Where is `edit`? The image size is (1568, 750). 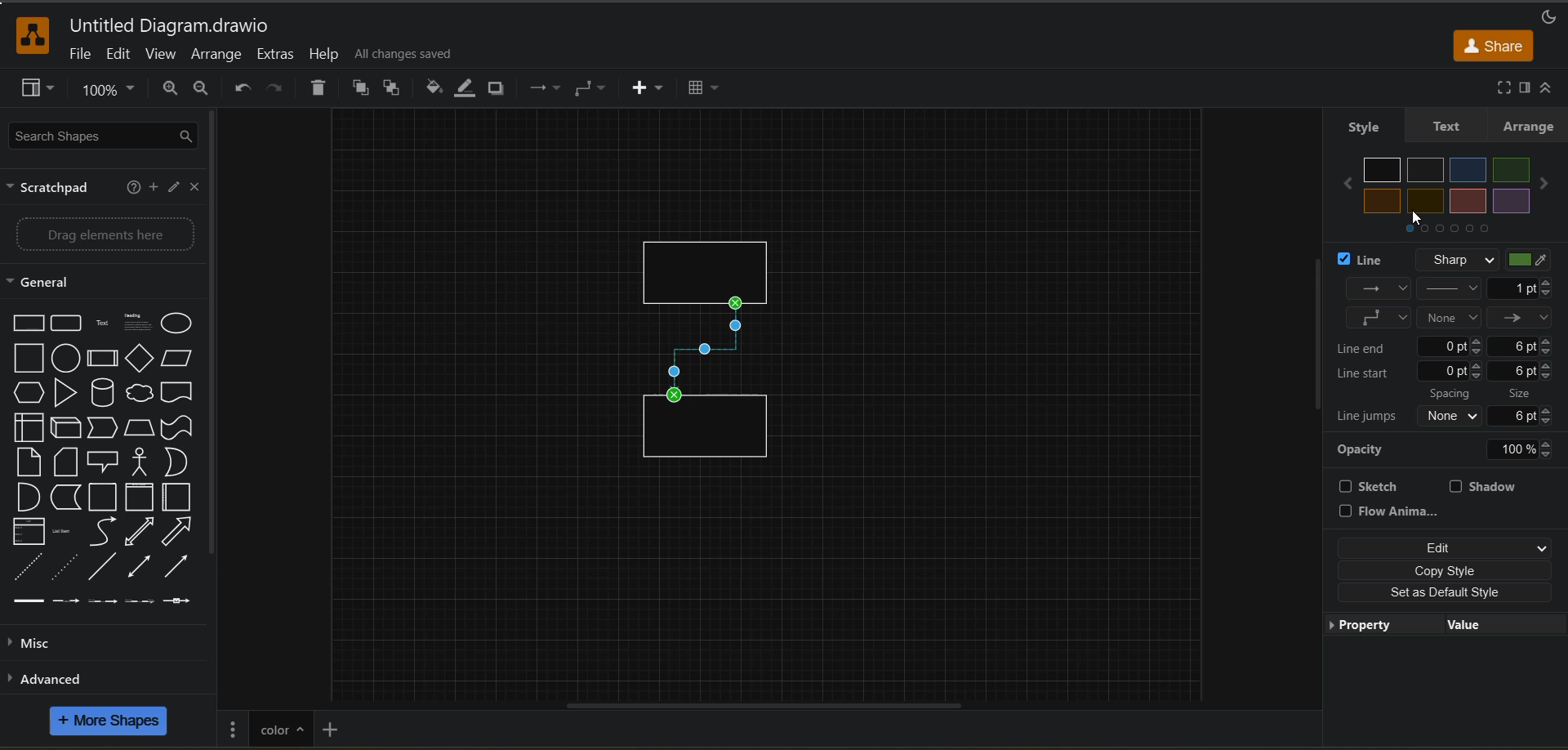 edit is located at coordinates (176, 189).